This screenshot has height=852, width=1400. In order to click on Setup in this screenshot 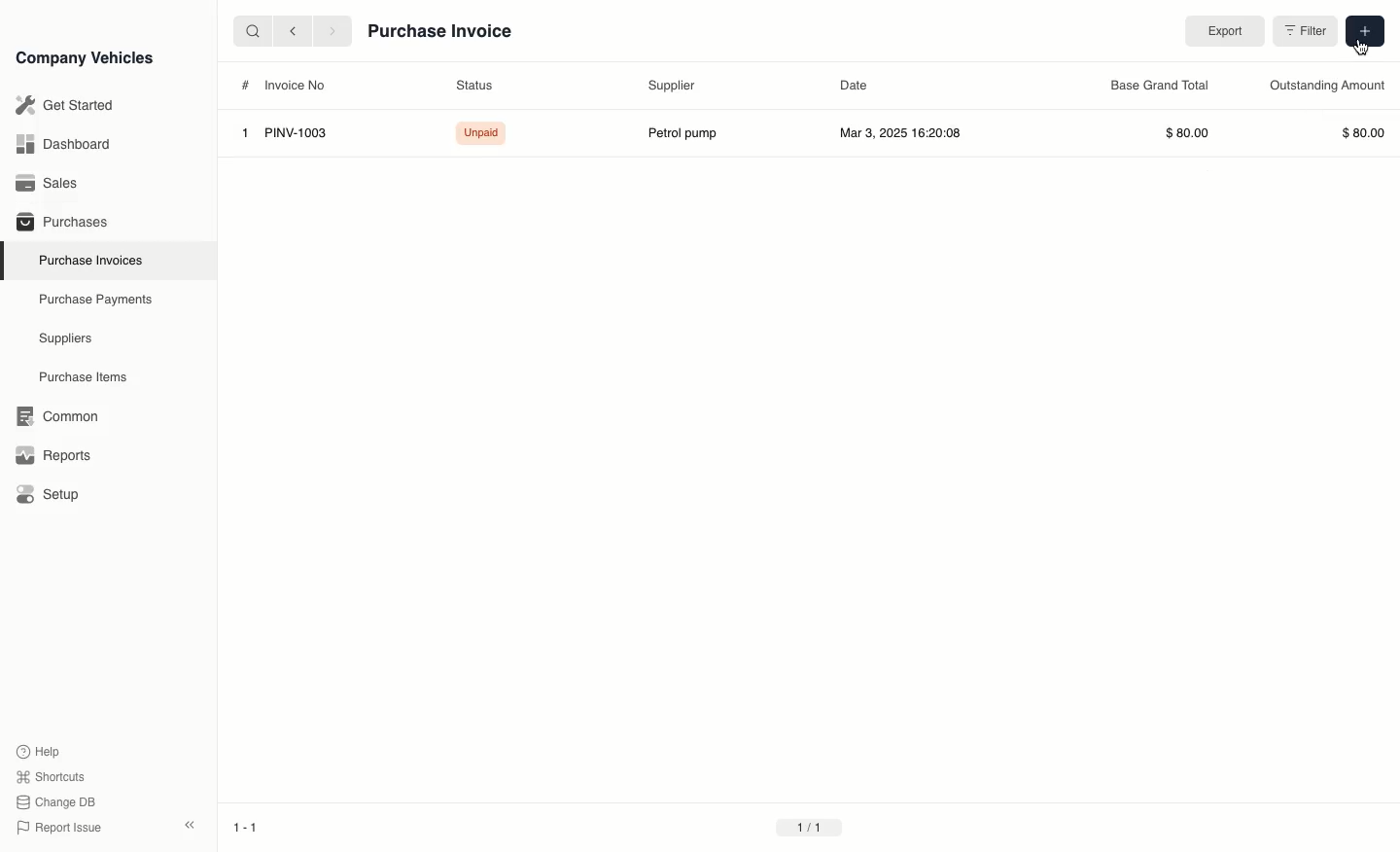, I will do `click(52, 495)`.